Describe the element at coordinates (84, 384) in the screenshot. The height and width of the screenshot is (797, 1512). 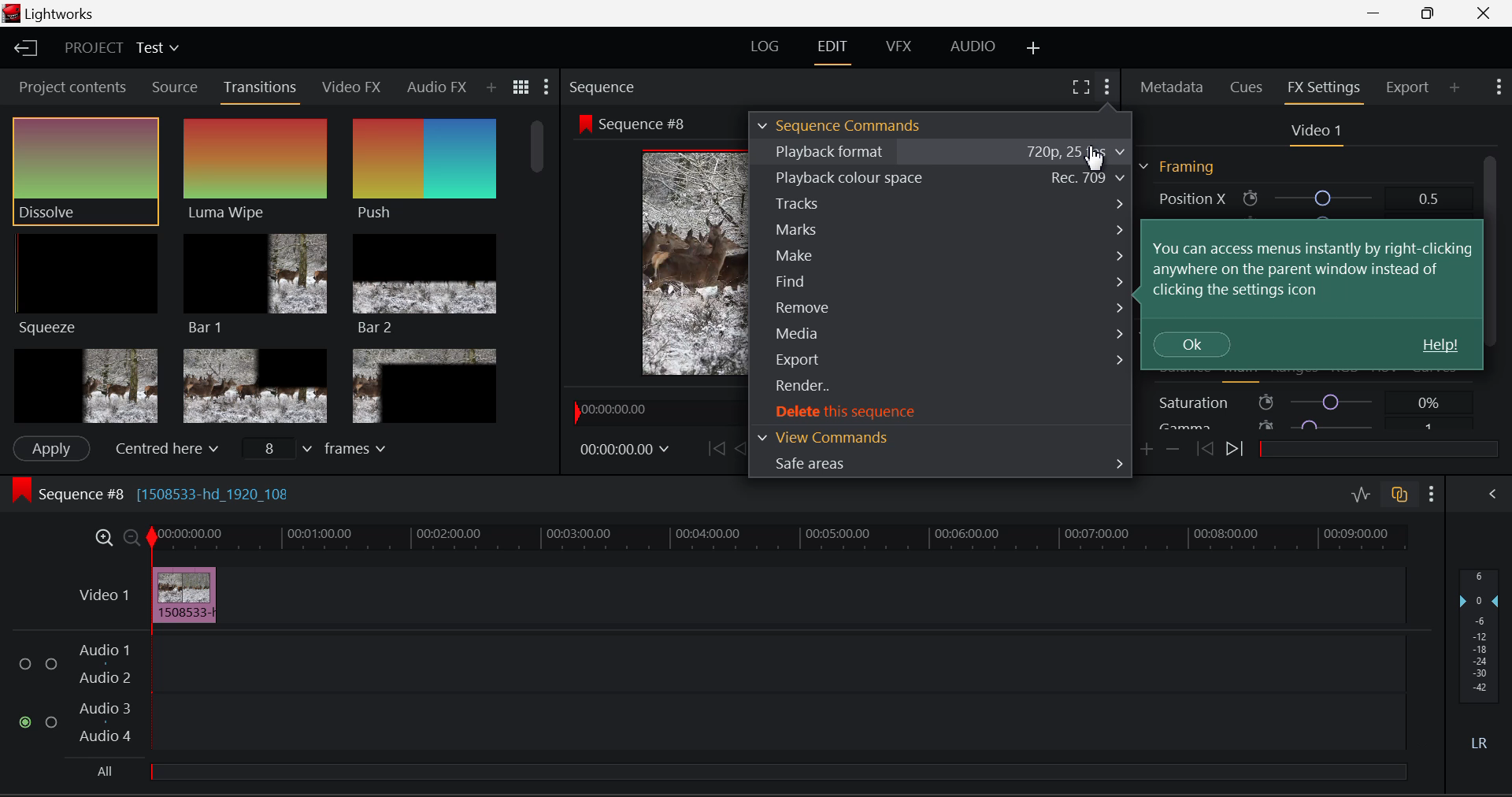
I see `Box 1` at that location.